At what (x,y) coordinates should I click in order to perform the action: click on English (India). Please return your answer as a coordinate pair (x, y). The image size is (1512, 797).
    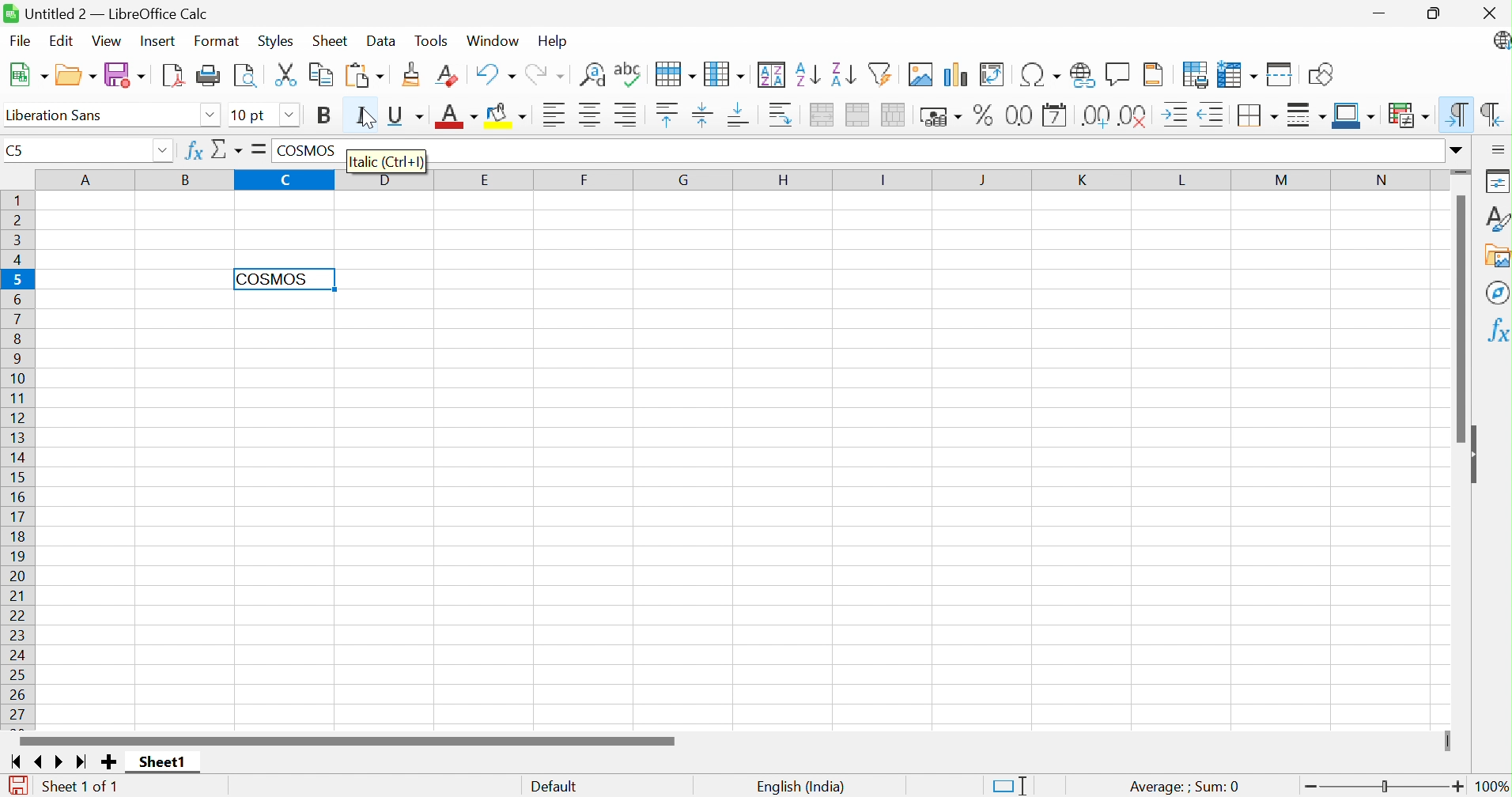
    Looking at the image, I should click on (799, 786).